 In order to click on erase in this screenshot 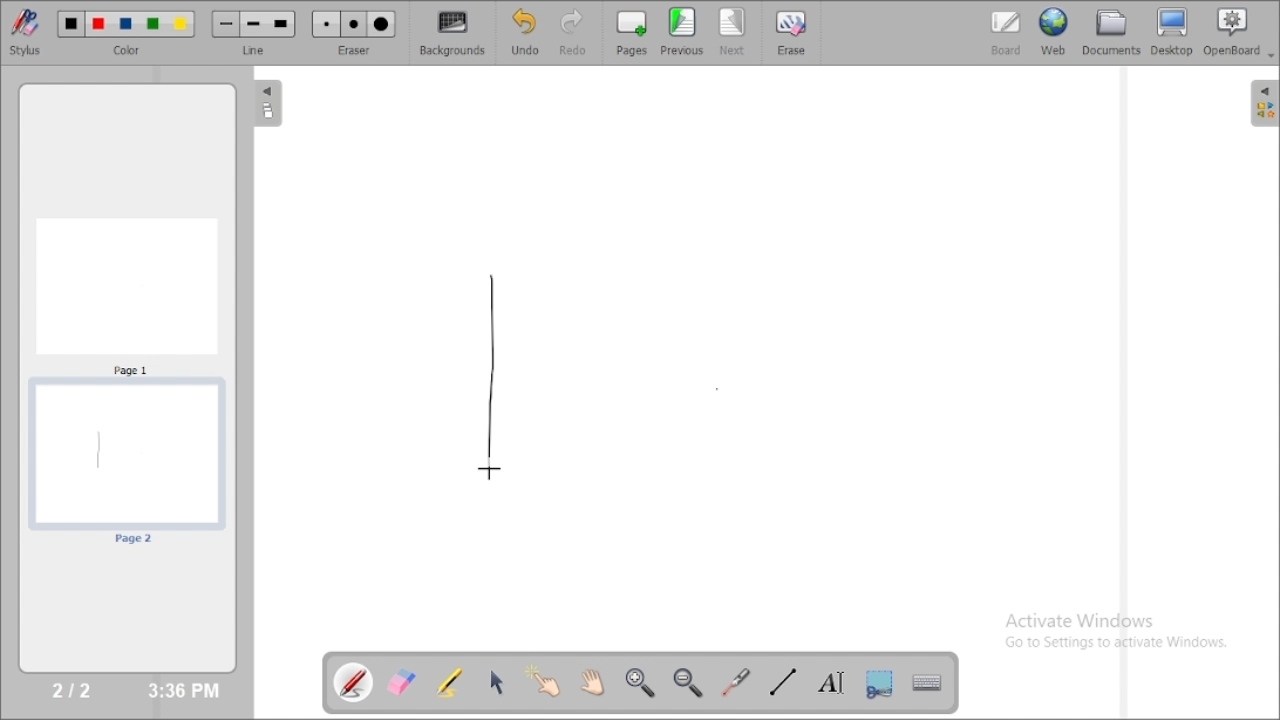, I will do `click(790, 32)`.